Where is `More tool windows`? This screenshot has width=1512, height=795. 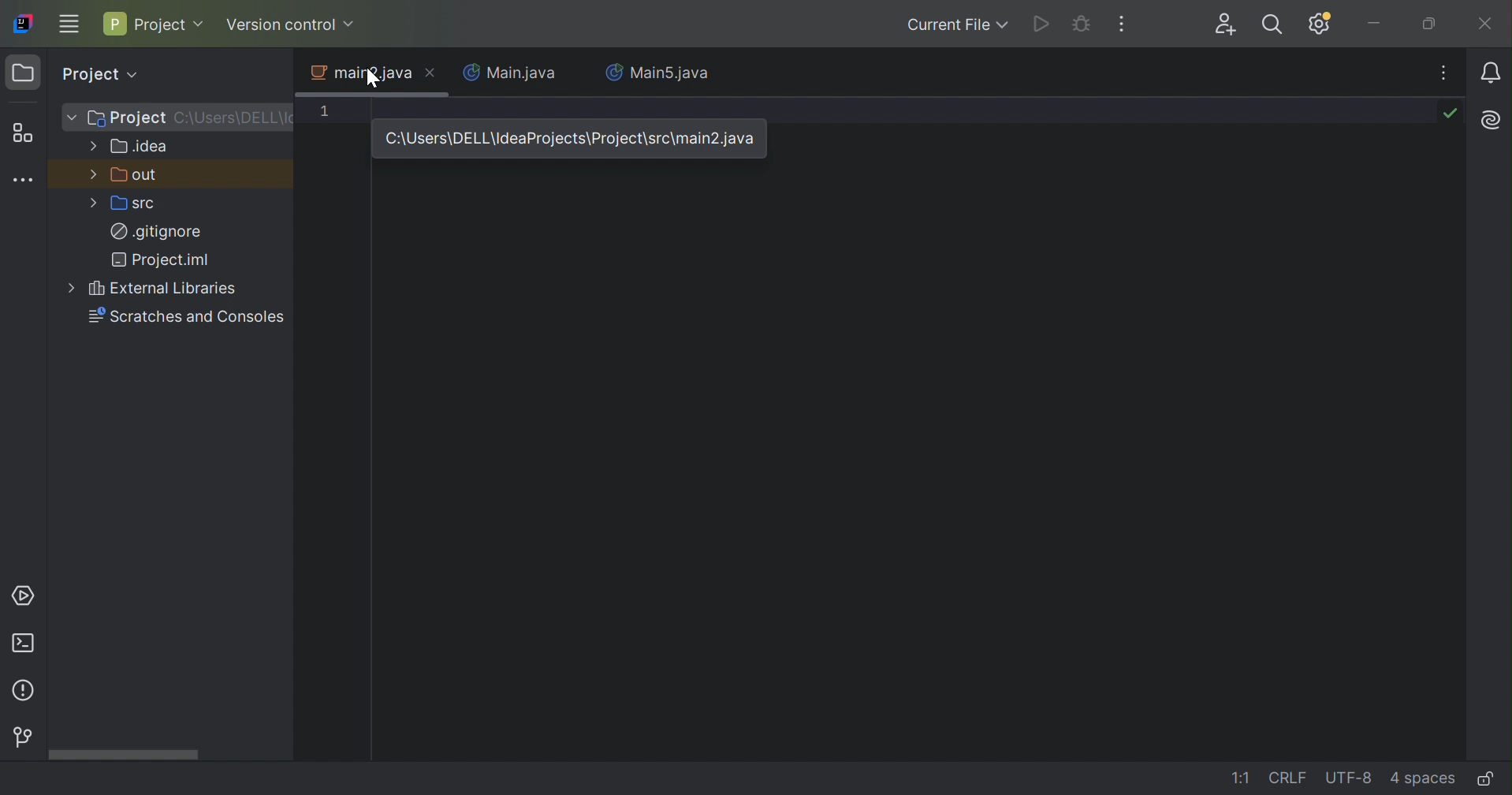
More tool windows is located at coordinates (24, 177).